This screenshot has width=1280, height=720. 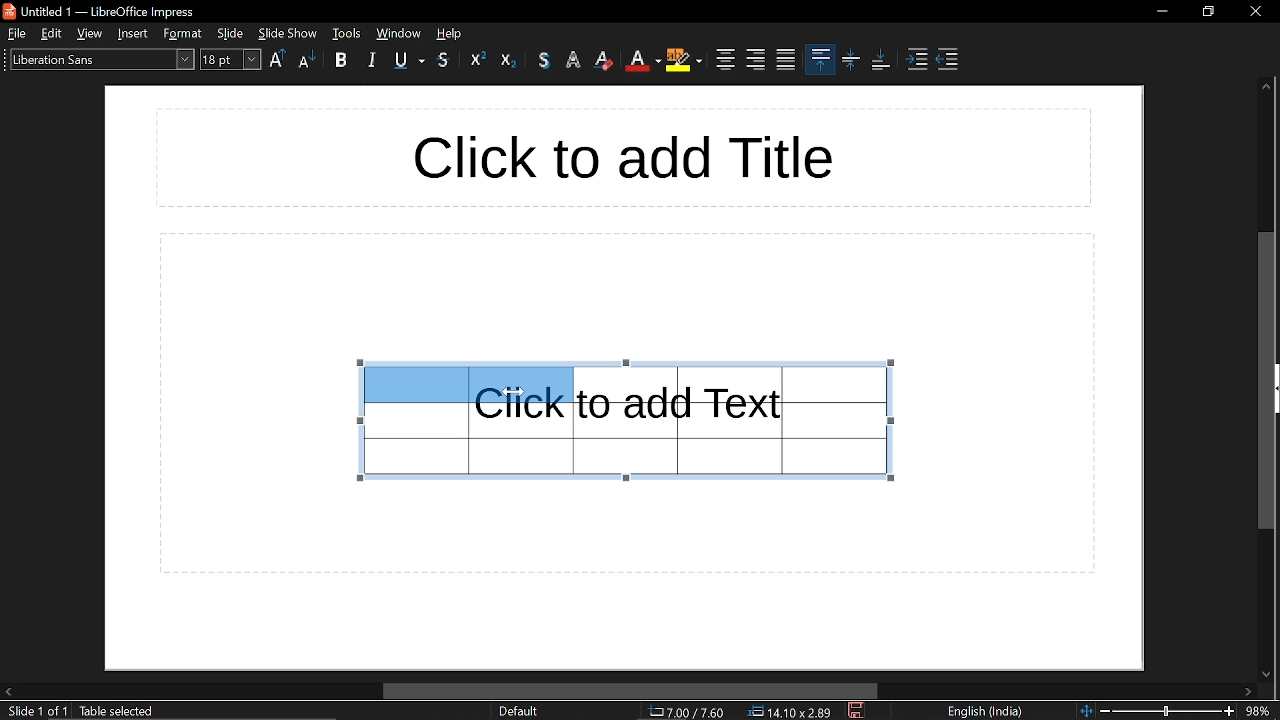 I want to click on highlight, so click(x=683, y=62).